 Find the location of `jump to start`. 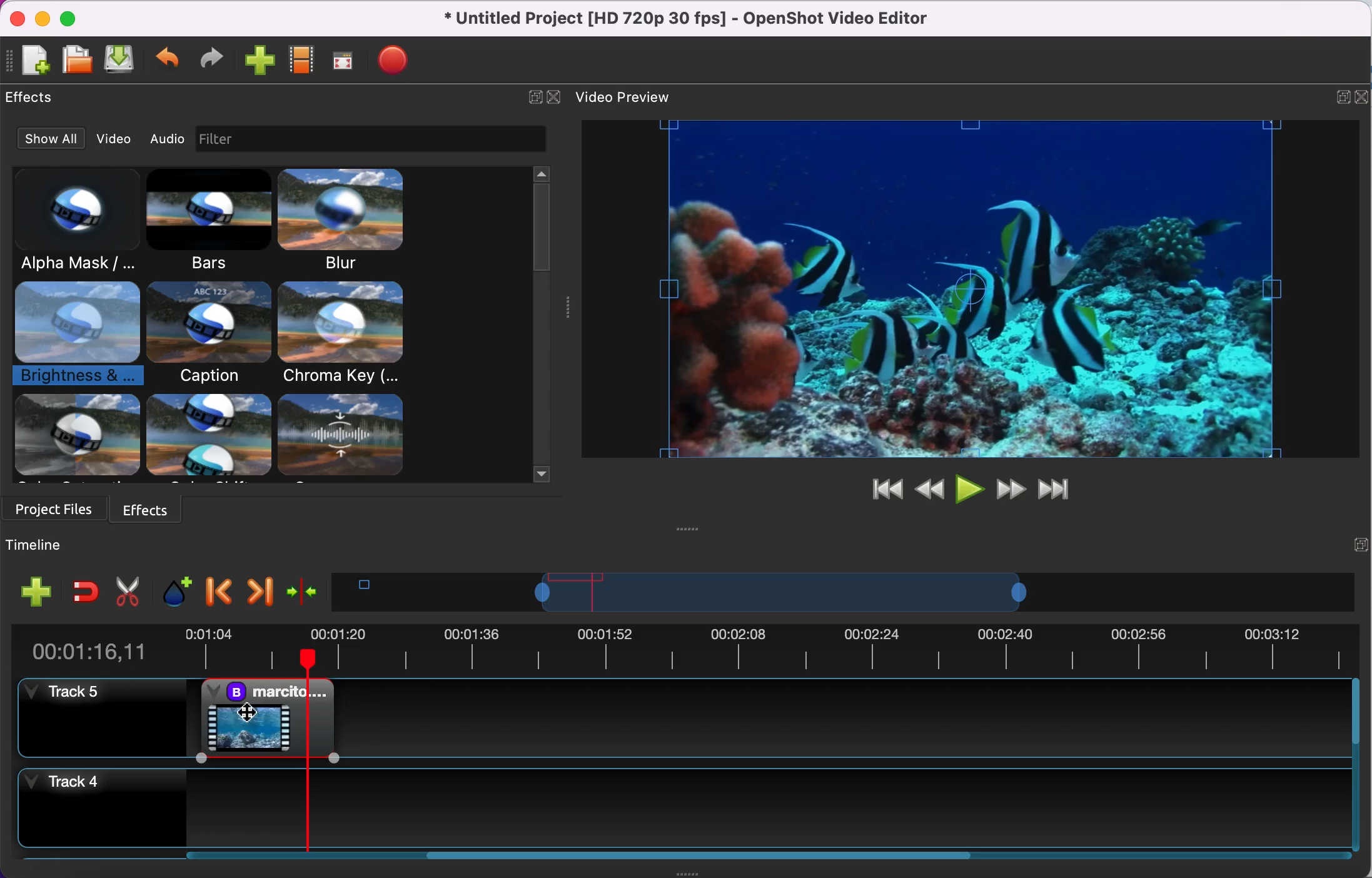

jump to start is located at coordinates (880, 491).